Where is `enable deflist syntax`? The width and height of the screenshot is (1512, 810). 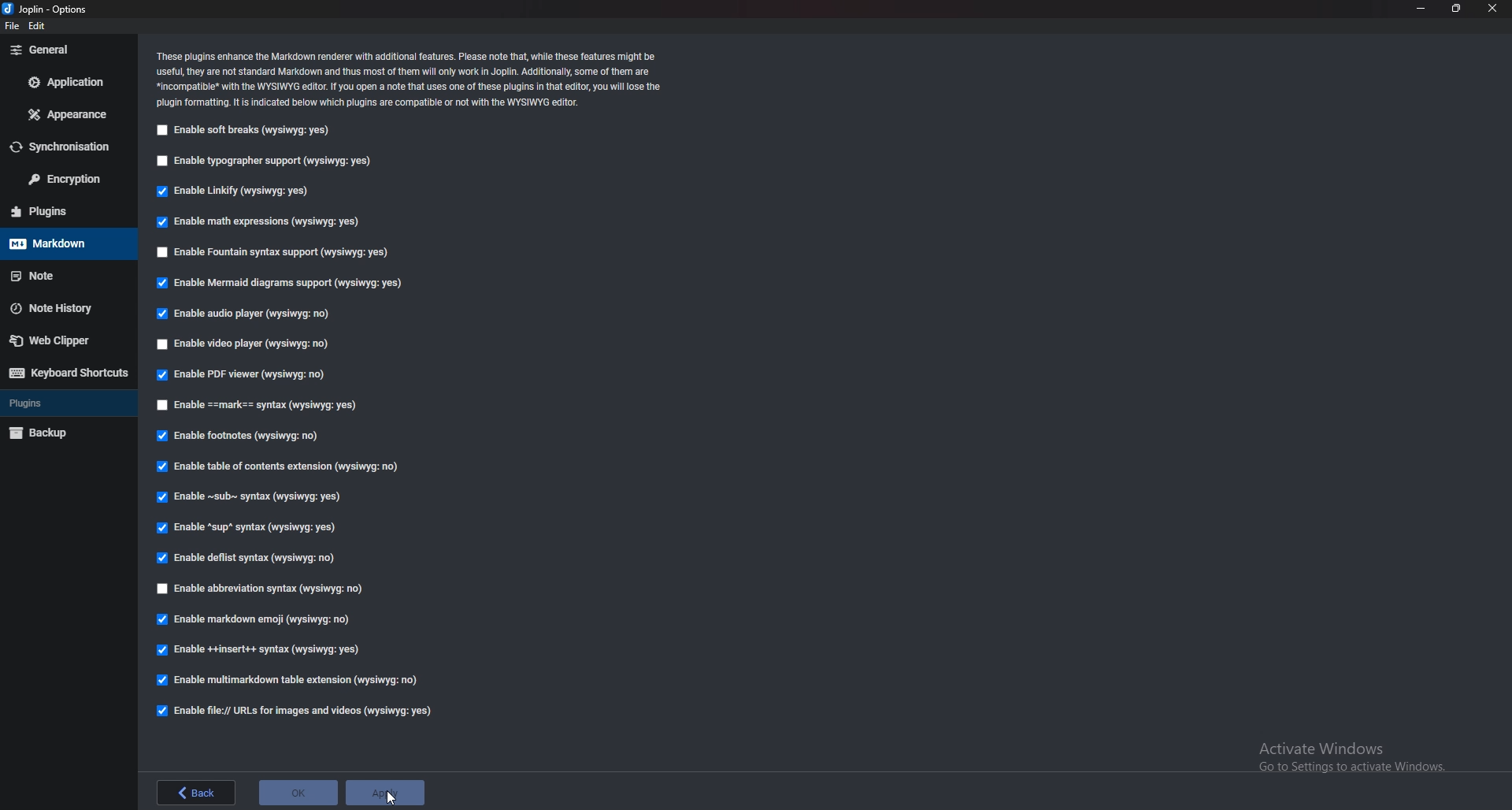 enable deflist syntax is located at coordinates (248, 559).